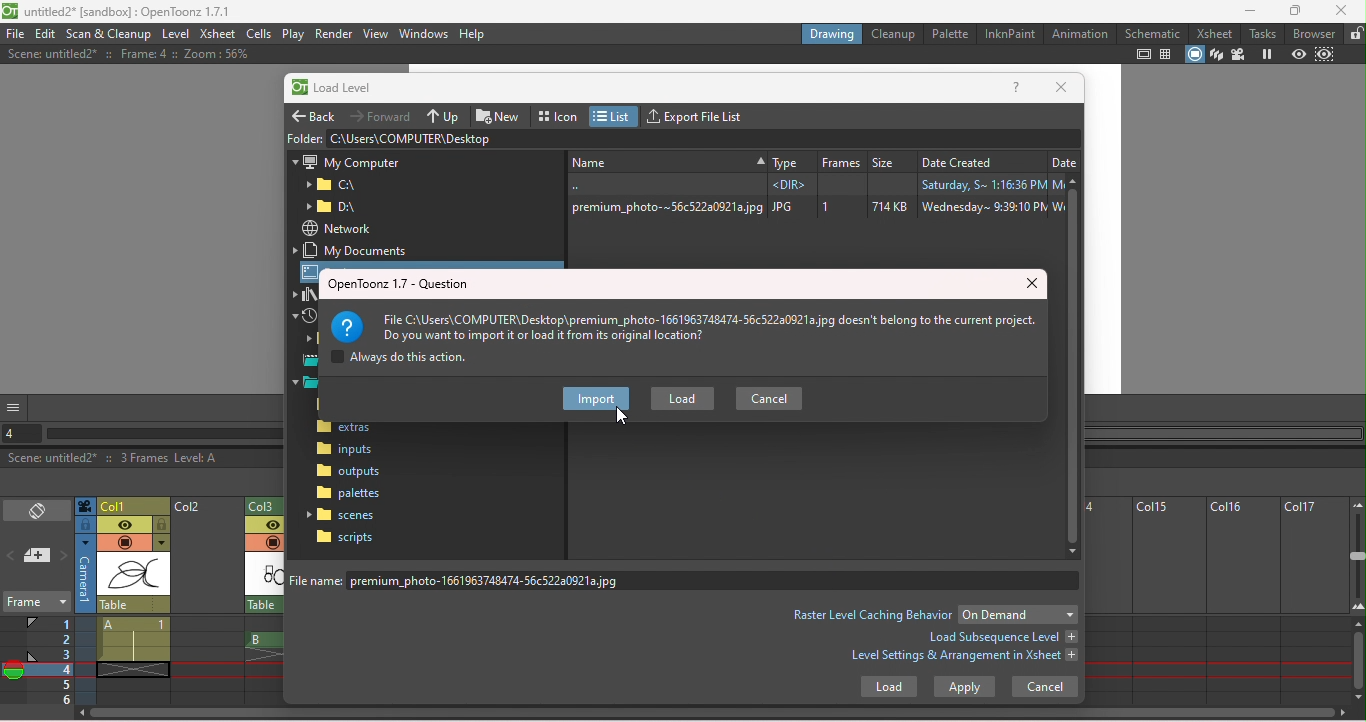  I want to click on Size, so click(891, 159).